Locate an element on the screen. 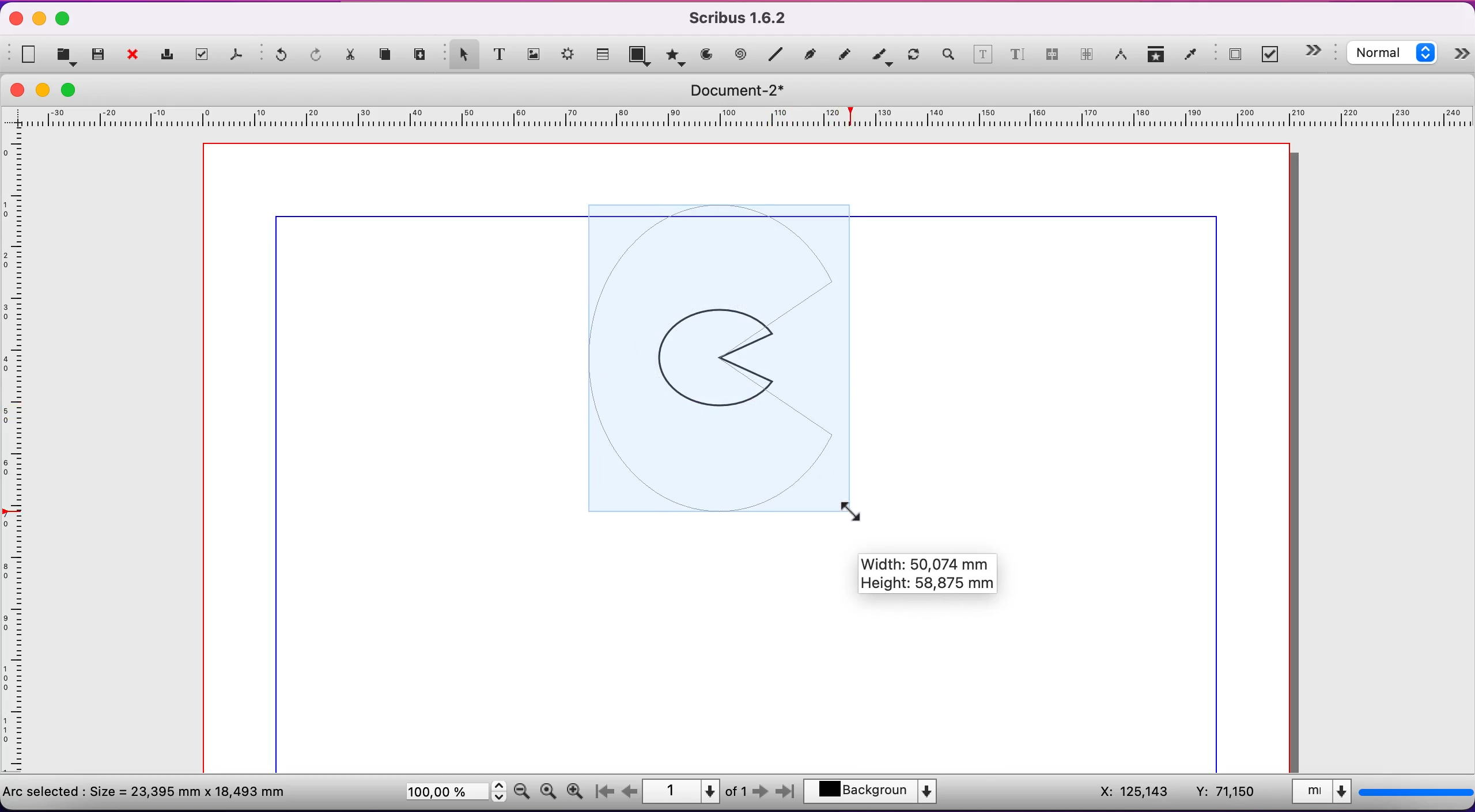 Image resolution: width=1475 pixels, height=812 pixels. maximize is located at coordinates (63, 20).